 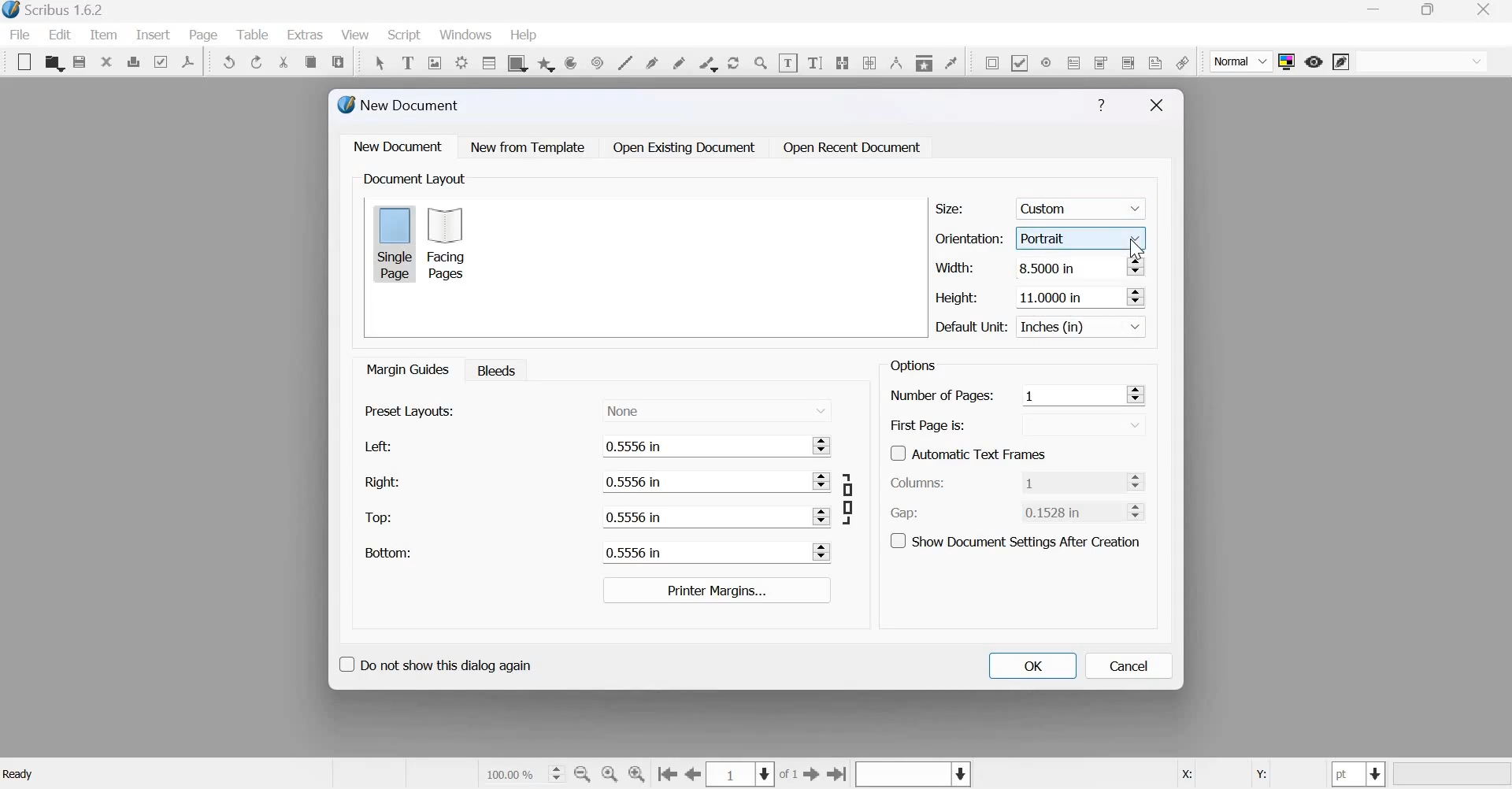 What do you see at coordinates (465, 36) in the screenshot?
I see `windows` at bounding box center [465, 36].